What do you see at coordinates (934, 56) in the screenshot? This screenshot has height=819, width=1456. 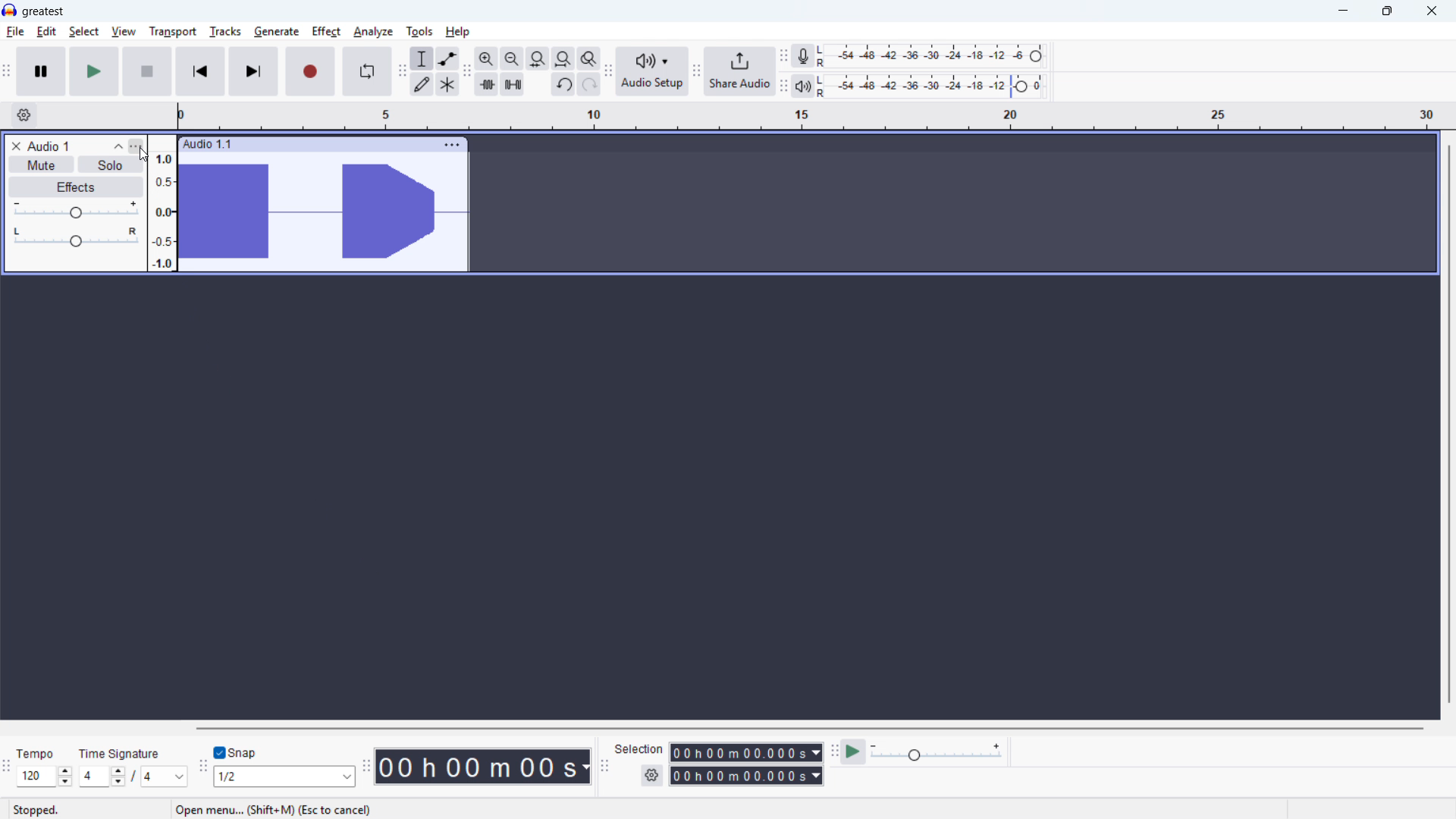 I see `recording level` at bounding box center [934, 56].